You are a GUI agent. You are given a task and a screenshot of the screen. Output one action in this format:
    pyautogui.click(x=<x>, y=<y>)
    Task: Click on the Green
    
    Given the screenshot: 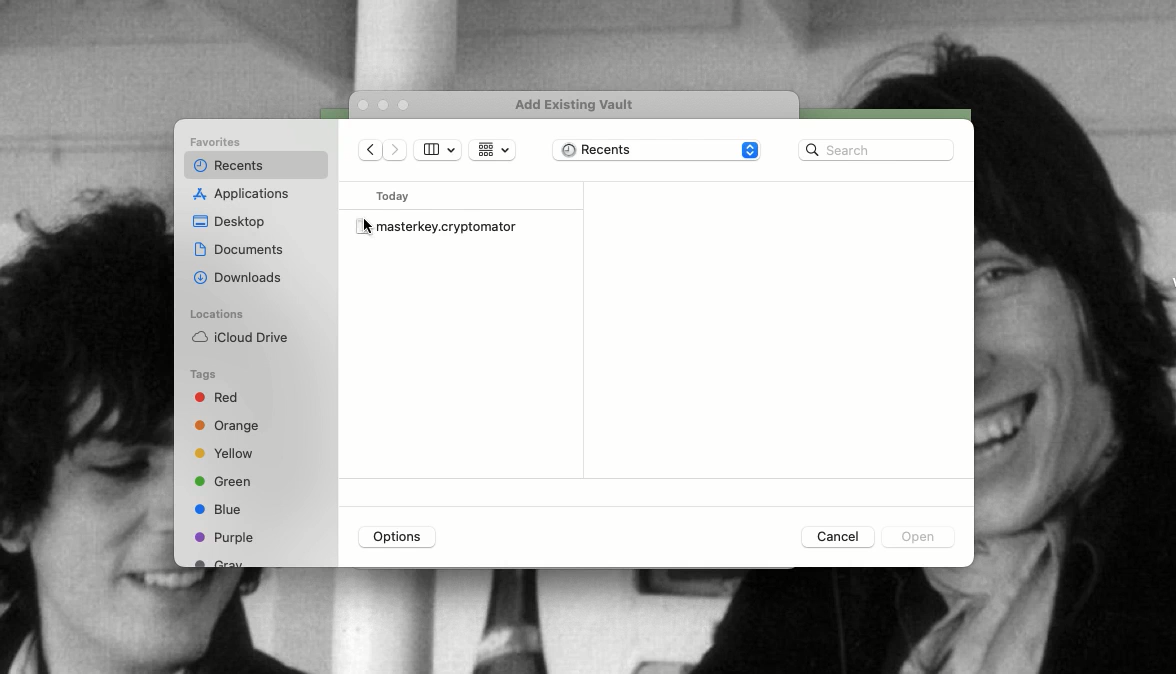 What is the action you would take?
    pyautogui.click(x=223, y=480)
    